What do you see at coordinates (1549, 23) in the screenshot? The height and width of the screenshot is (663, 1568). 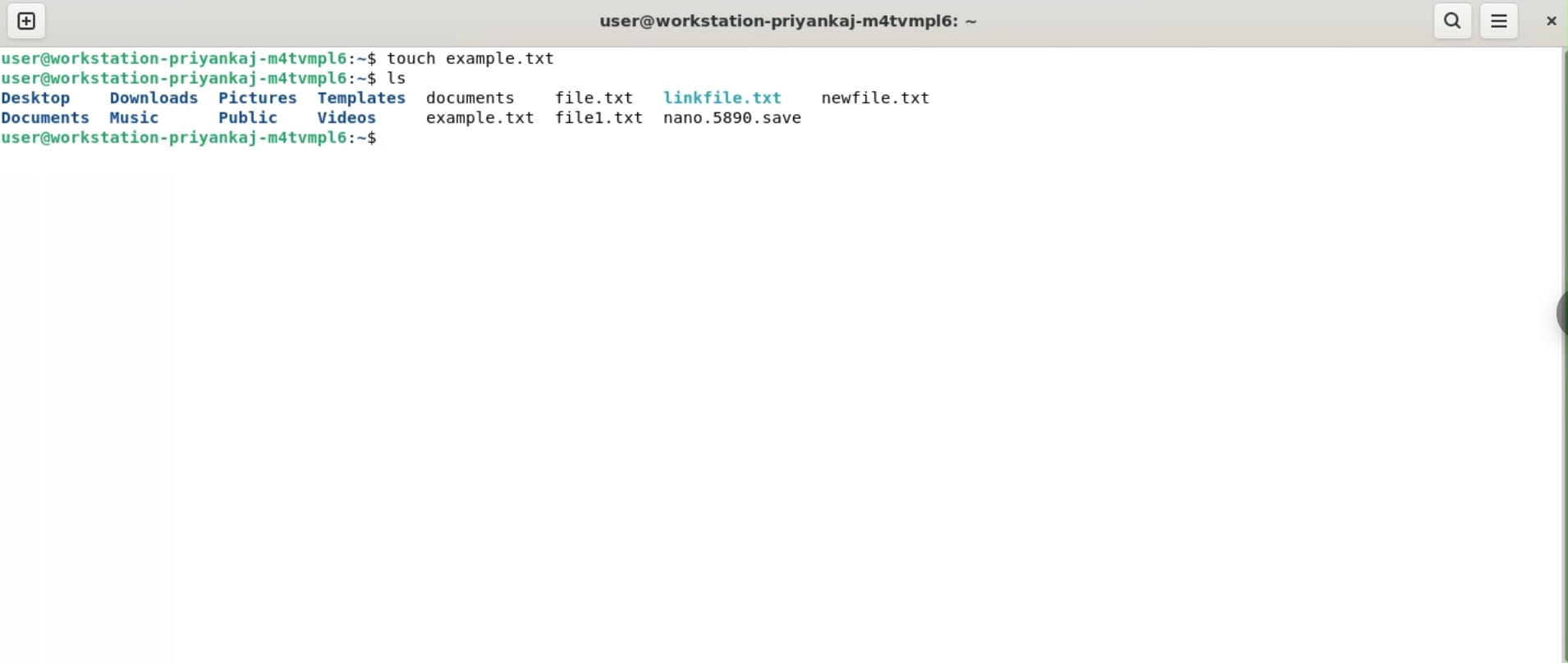 I see `close` at bounding box center [1549, 23].